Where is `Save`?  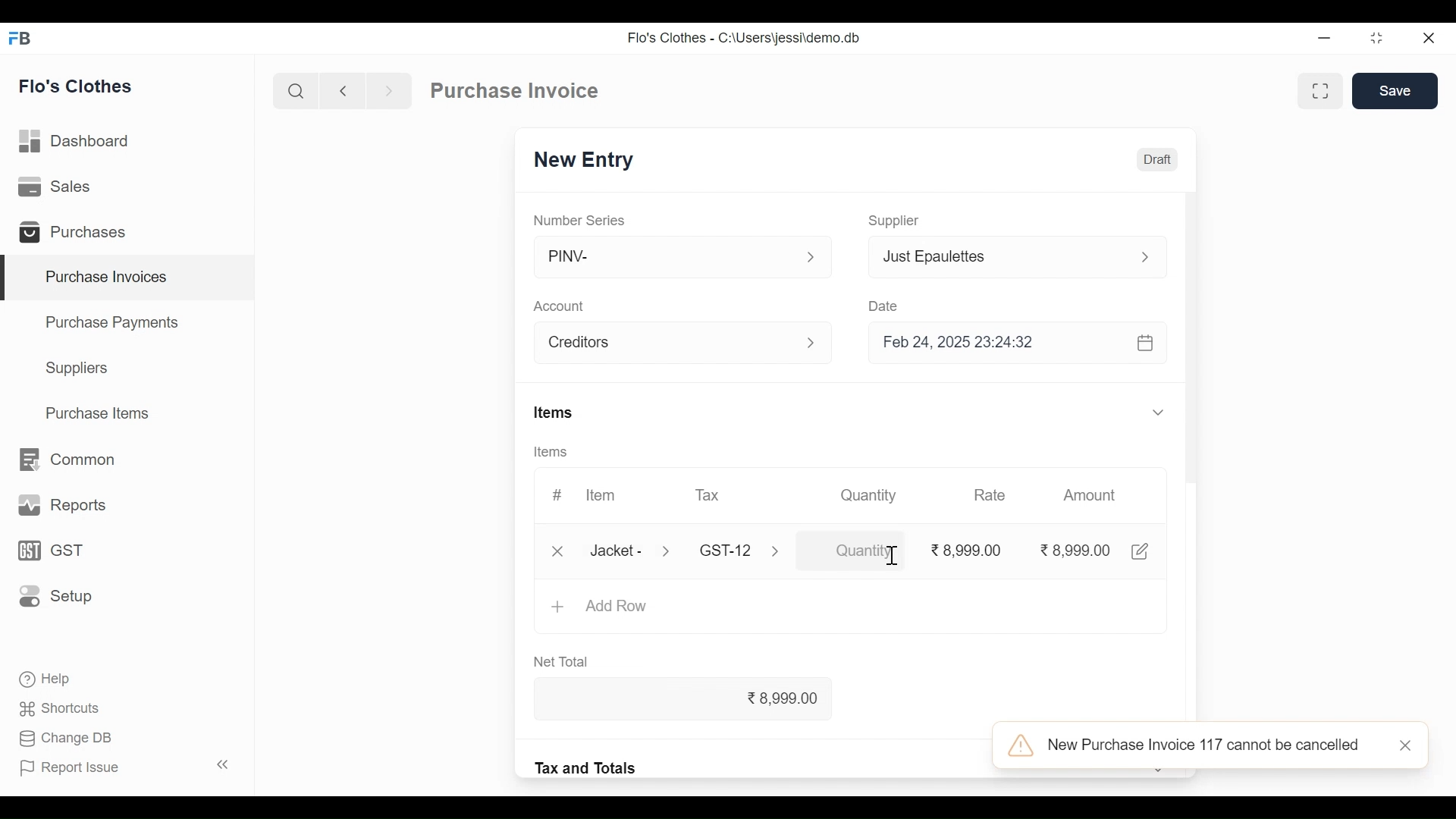
Save is located at coordinates (1395, 91).